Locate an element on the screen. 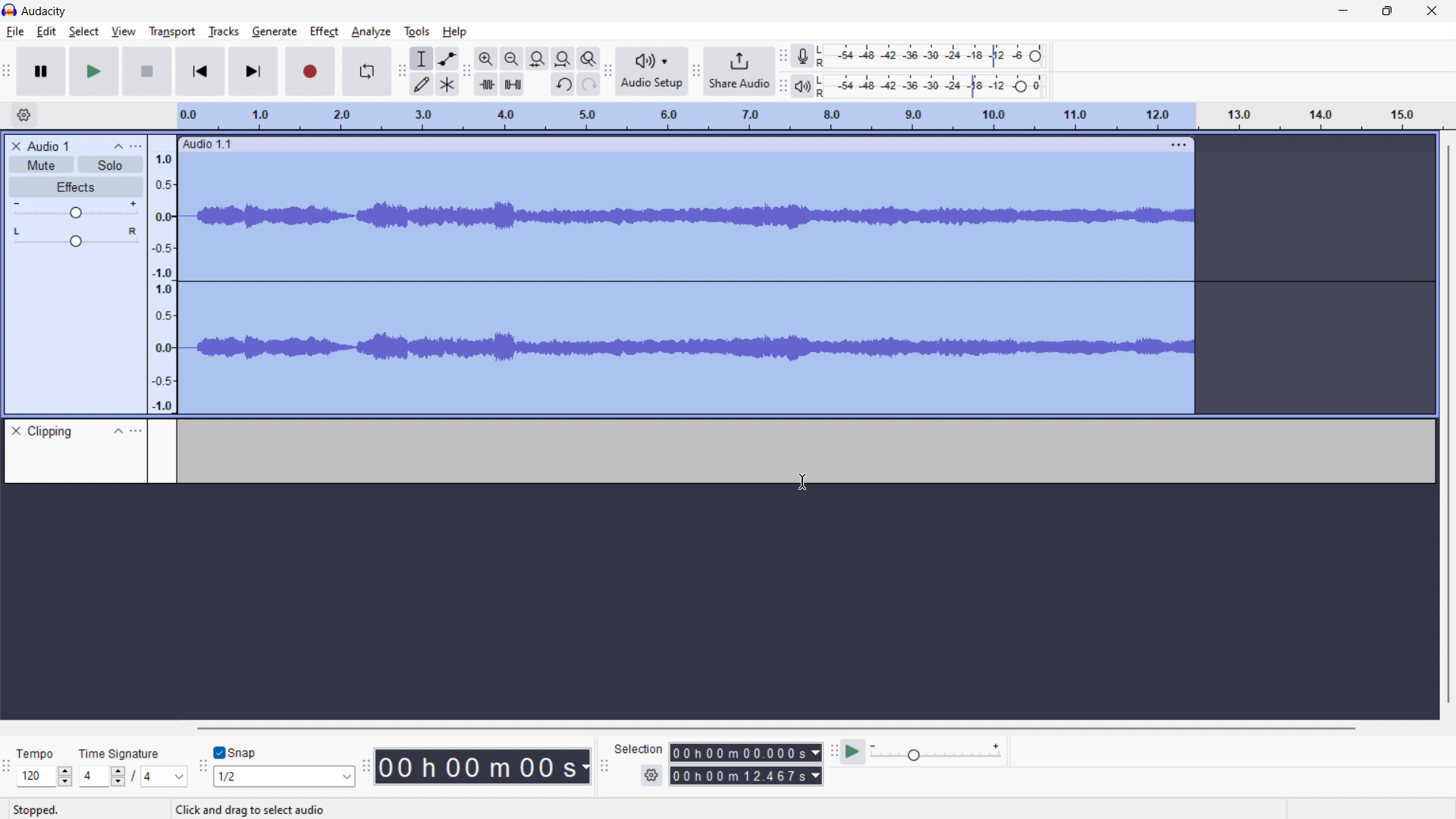  play is located at coordinates (94, 71).